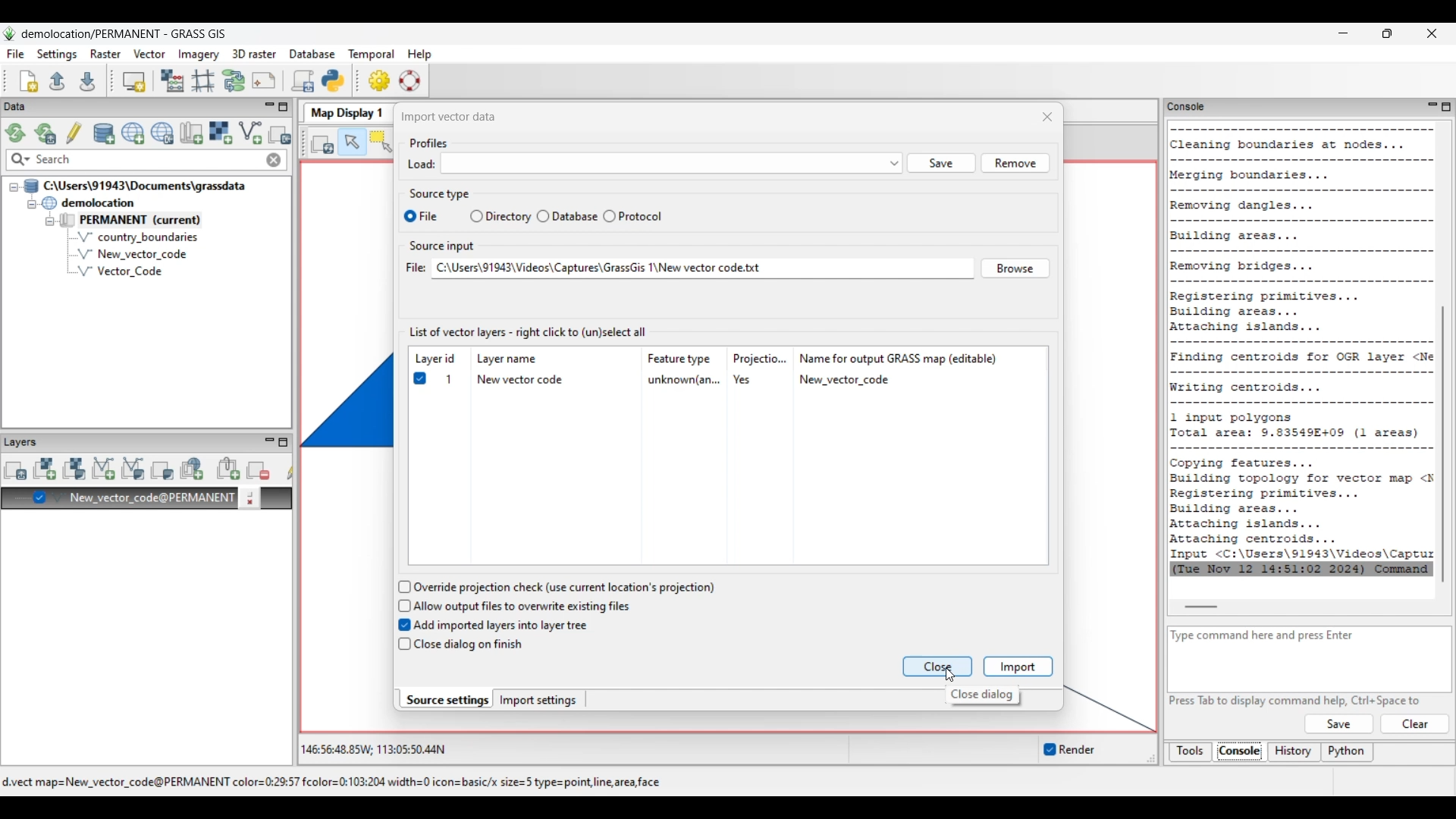  Describe the element at coordinates (133, 133) in the screenshot. I see `Create new project (location) to current GRASS database` at that location.